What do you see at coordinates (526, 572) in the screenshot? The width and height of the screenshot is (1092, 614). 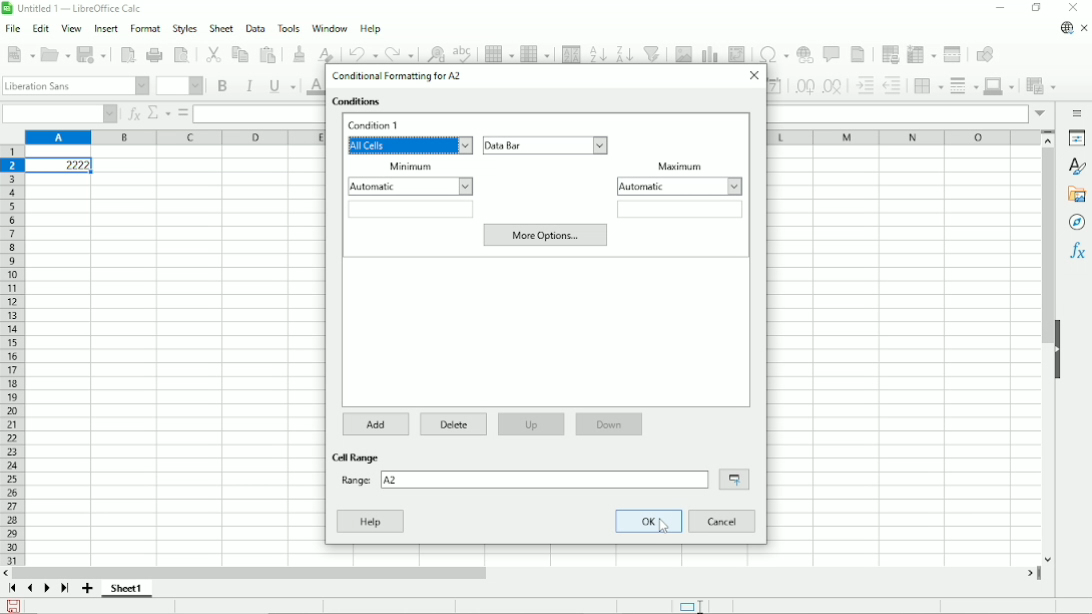 I see `Horizontal scrollbar` at bounding box center [526, 572].